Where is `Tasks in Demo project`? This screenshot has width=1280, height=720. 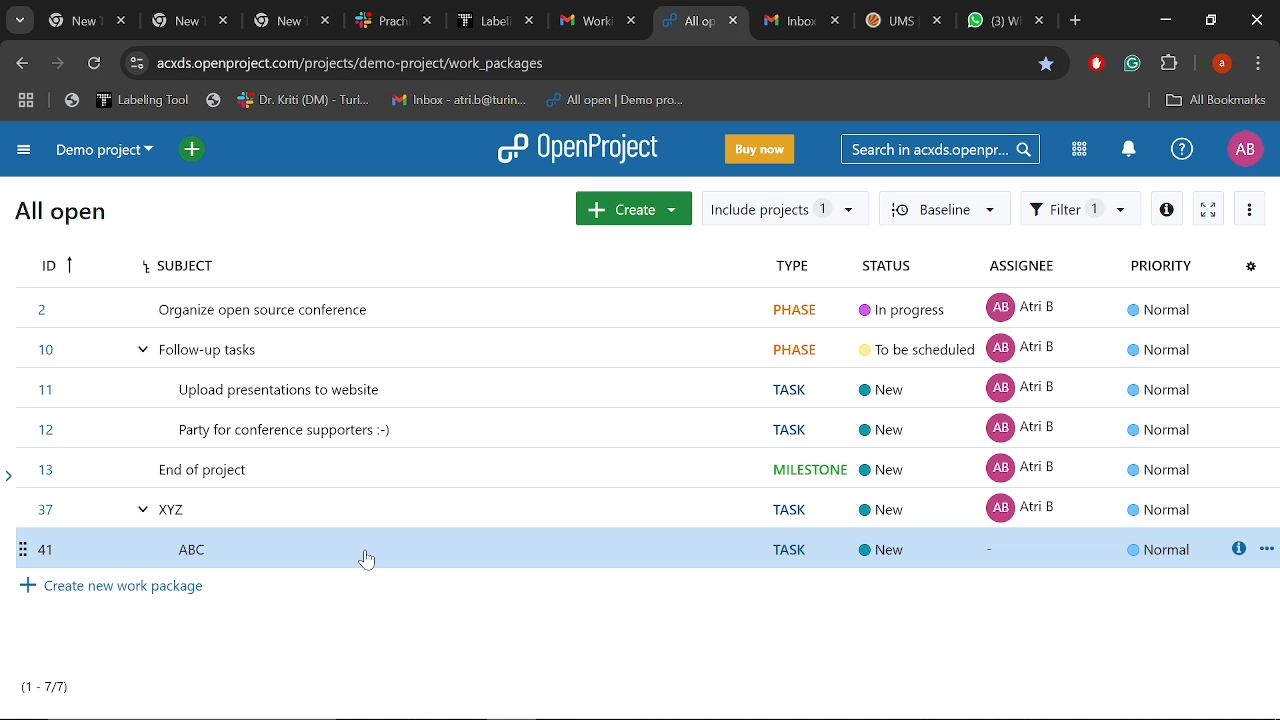
Tasks in Demo project is located at coordinates (635, 407).